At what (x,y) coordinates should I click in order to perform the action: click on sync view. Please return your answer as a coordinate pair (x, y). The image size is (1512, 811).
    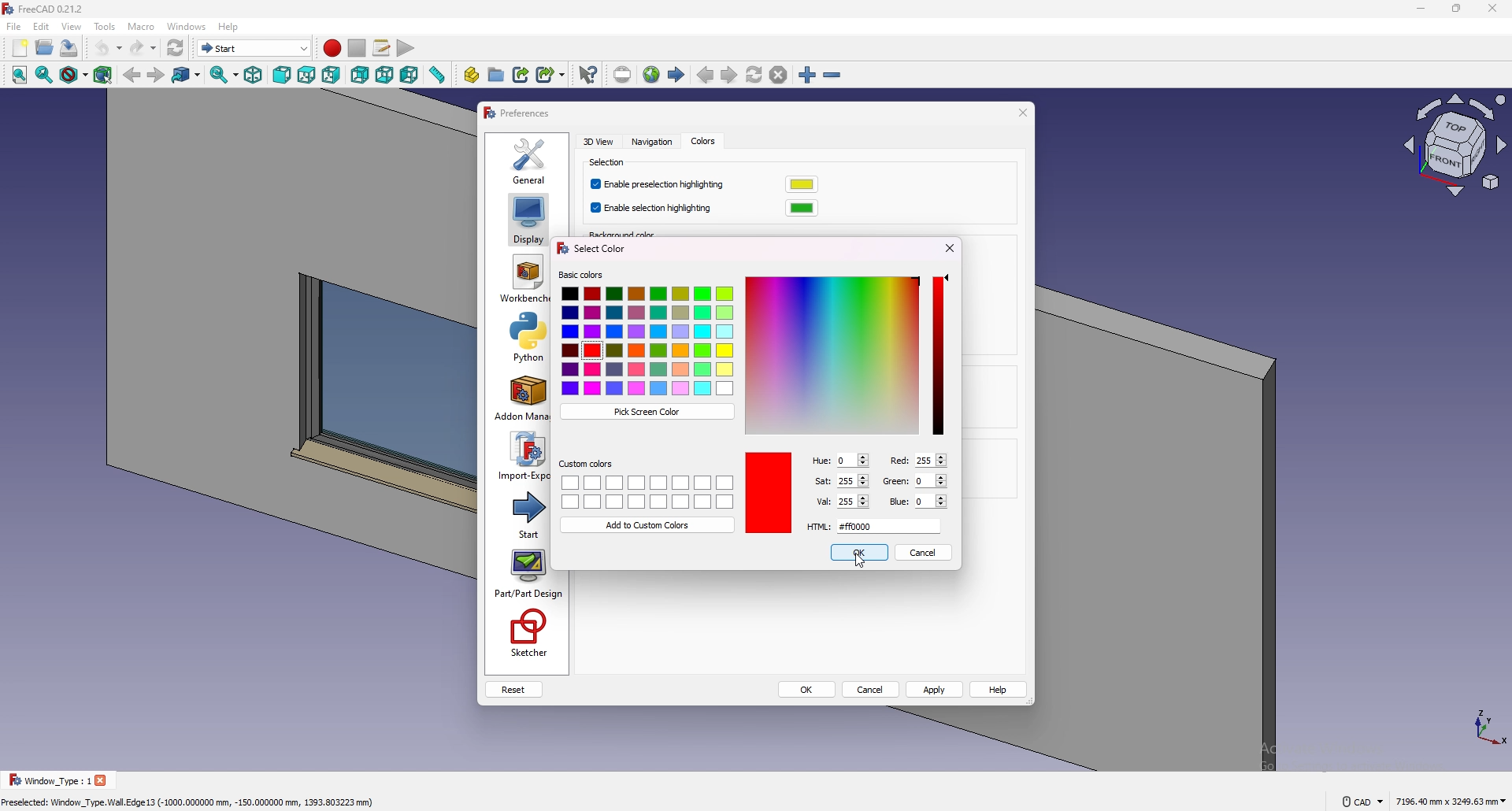
    Looking at the image, I should click on (224, 75).